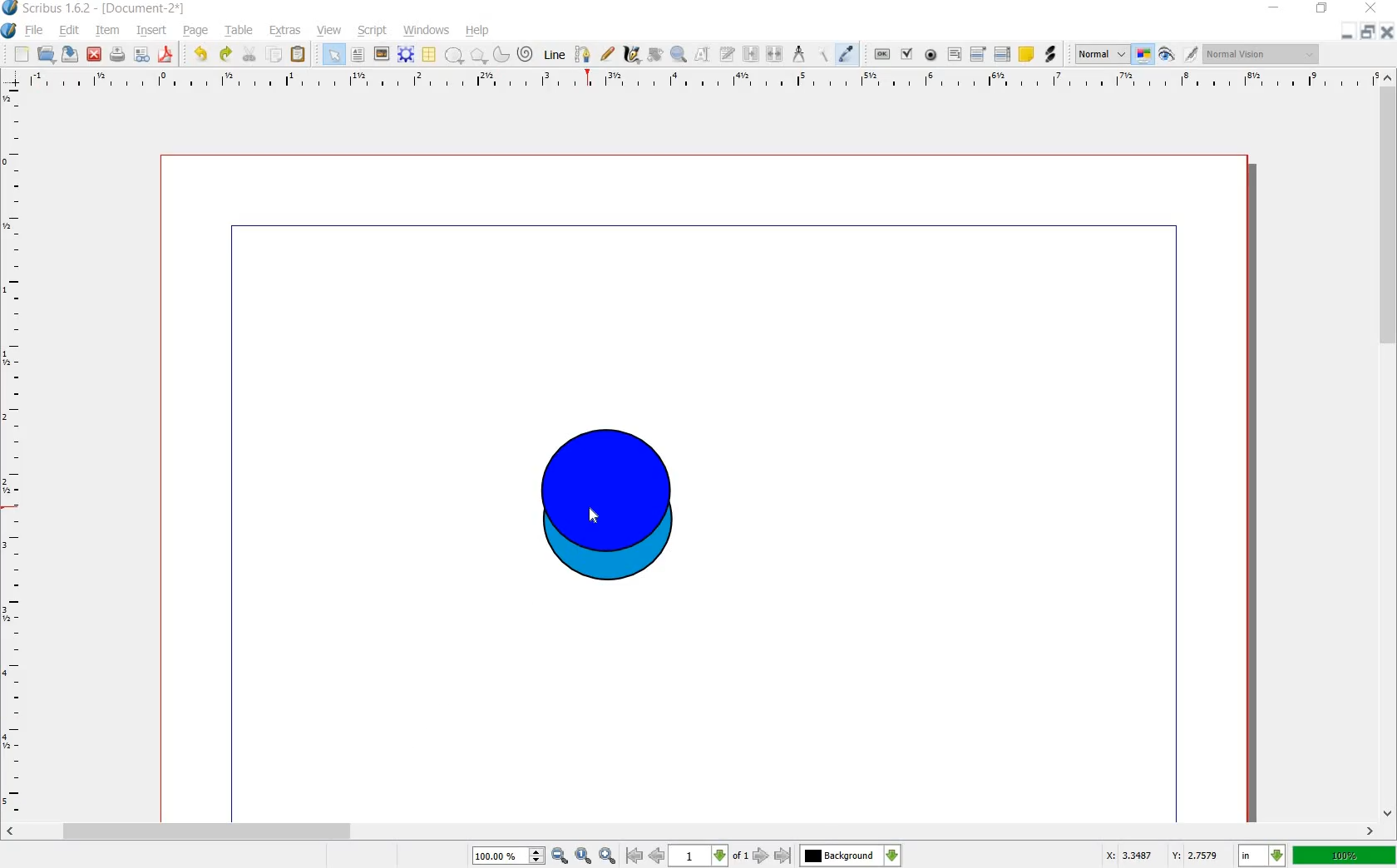 This screenshot has width=1397, height=868. Describe the element at coordinates (1099, 54) in the screenshot. I see `select the image preview quality` at that location.